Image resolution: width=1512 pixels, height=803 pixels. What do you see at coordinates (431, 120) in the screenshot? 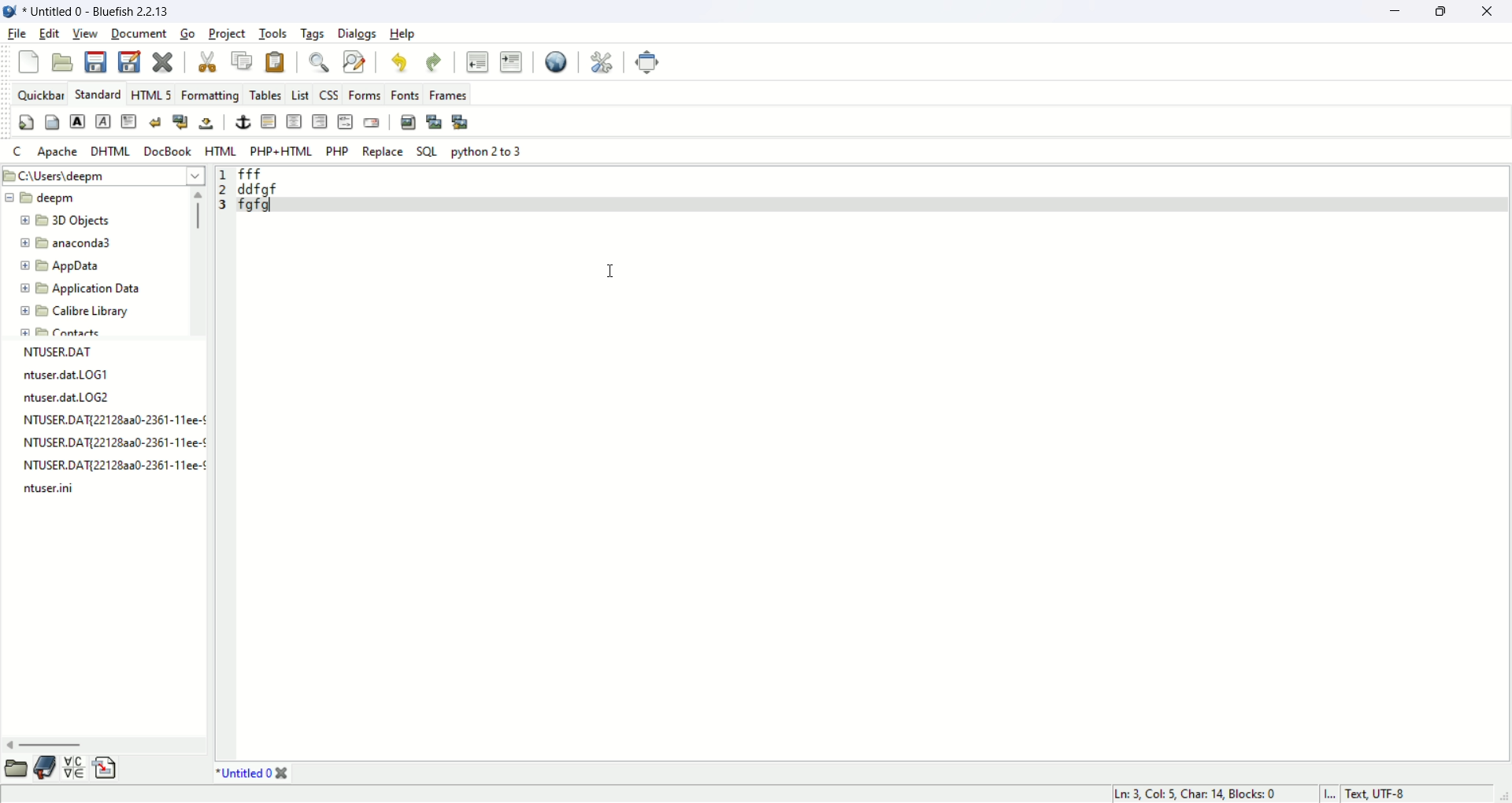
I see `insert thumbnail` at bounding box center [431, 120].